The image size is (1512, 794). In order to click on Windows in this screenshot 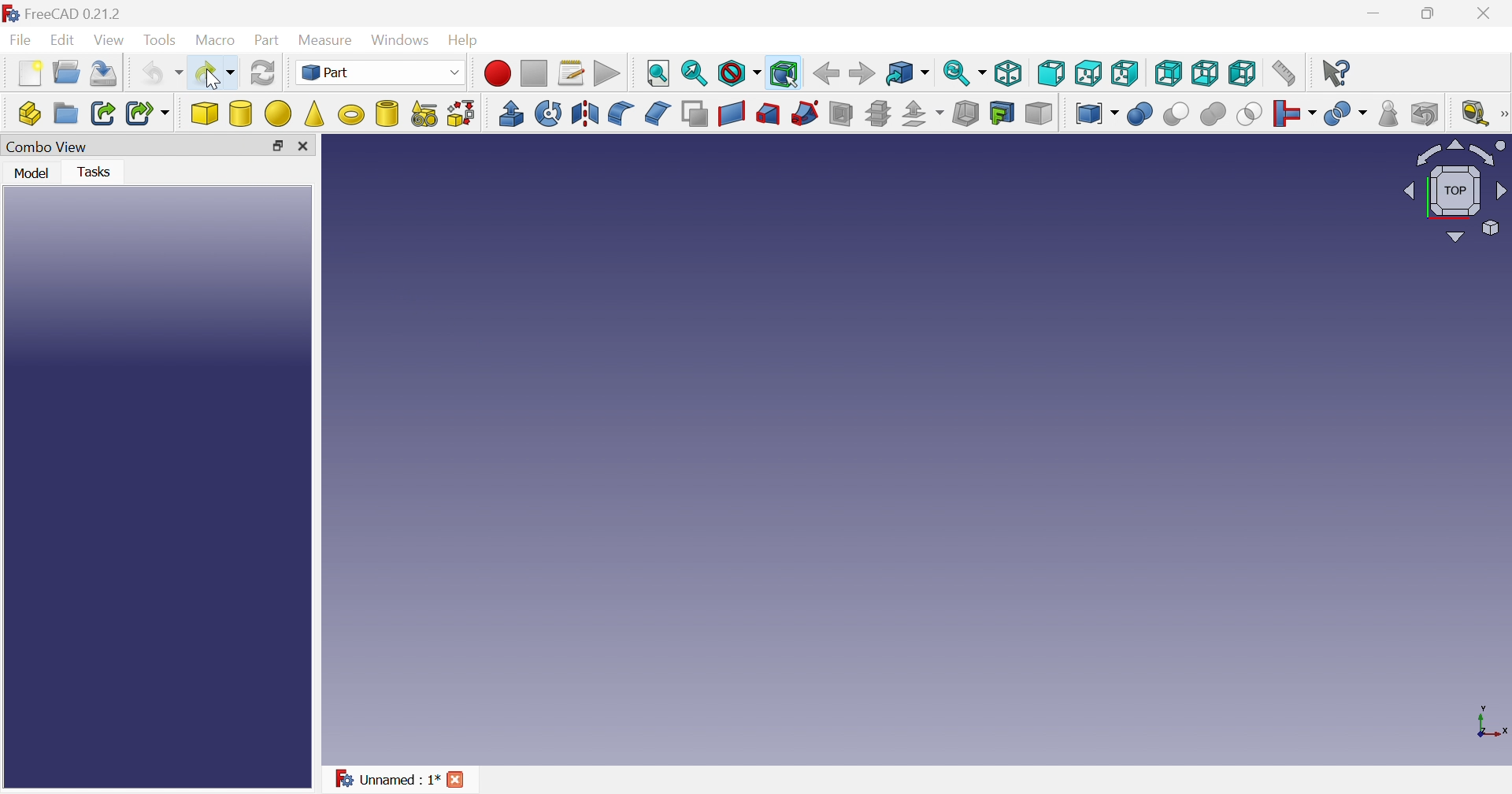, I will do `click(401, 43)`.